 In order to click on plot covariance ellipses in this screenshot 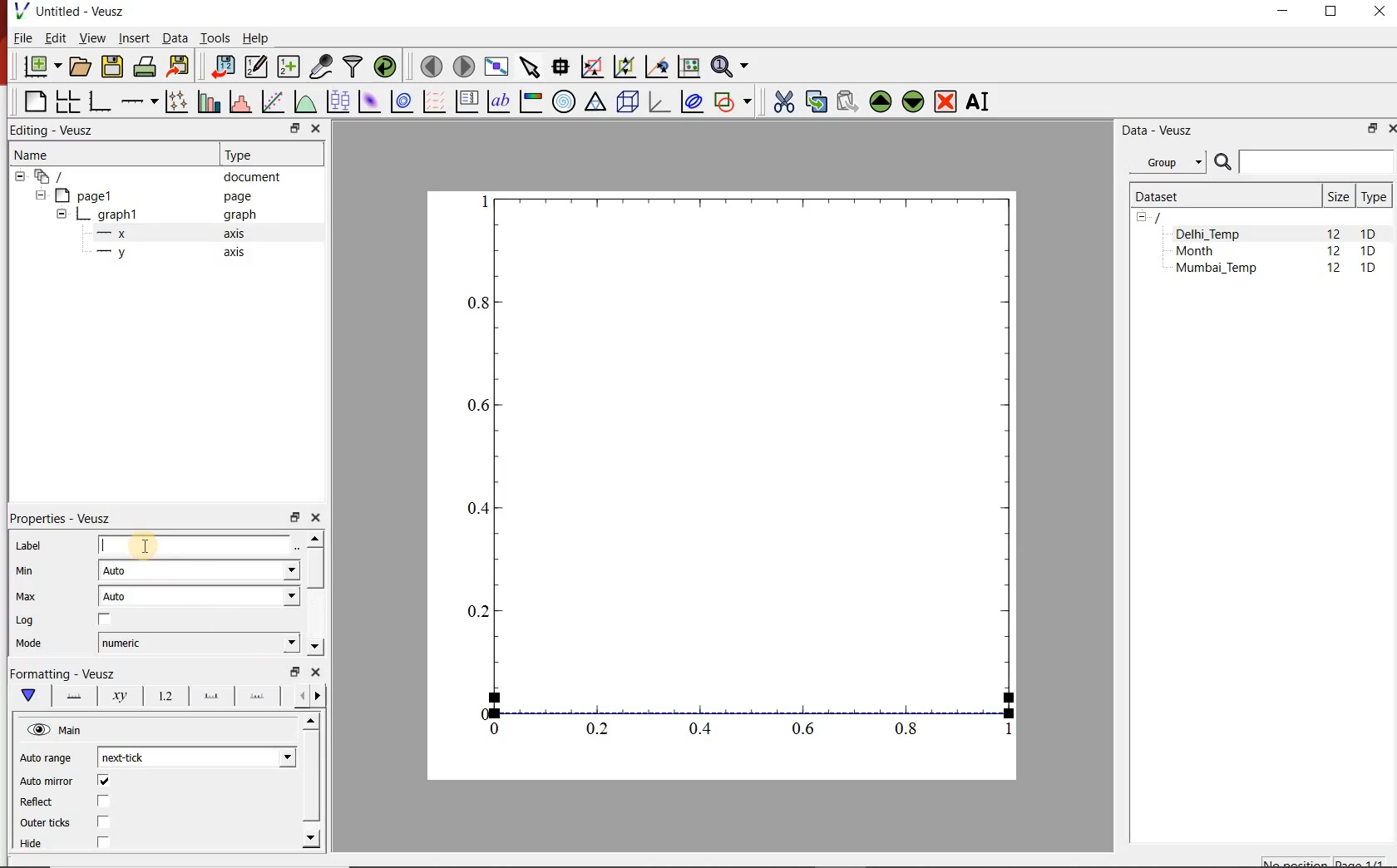, I will do `click(692, 101)`.